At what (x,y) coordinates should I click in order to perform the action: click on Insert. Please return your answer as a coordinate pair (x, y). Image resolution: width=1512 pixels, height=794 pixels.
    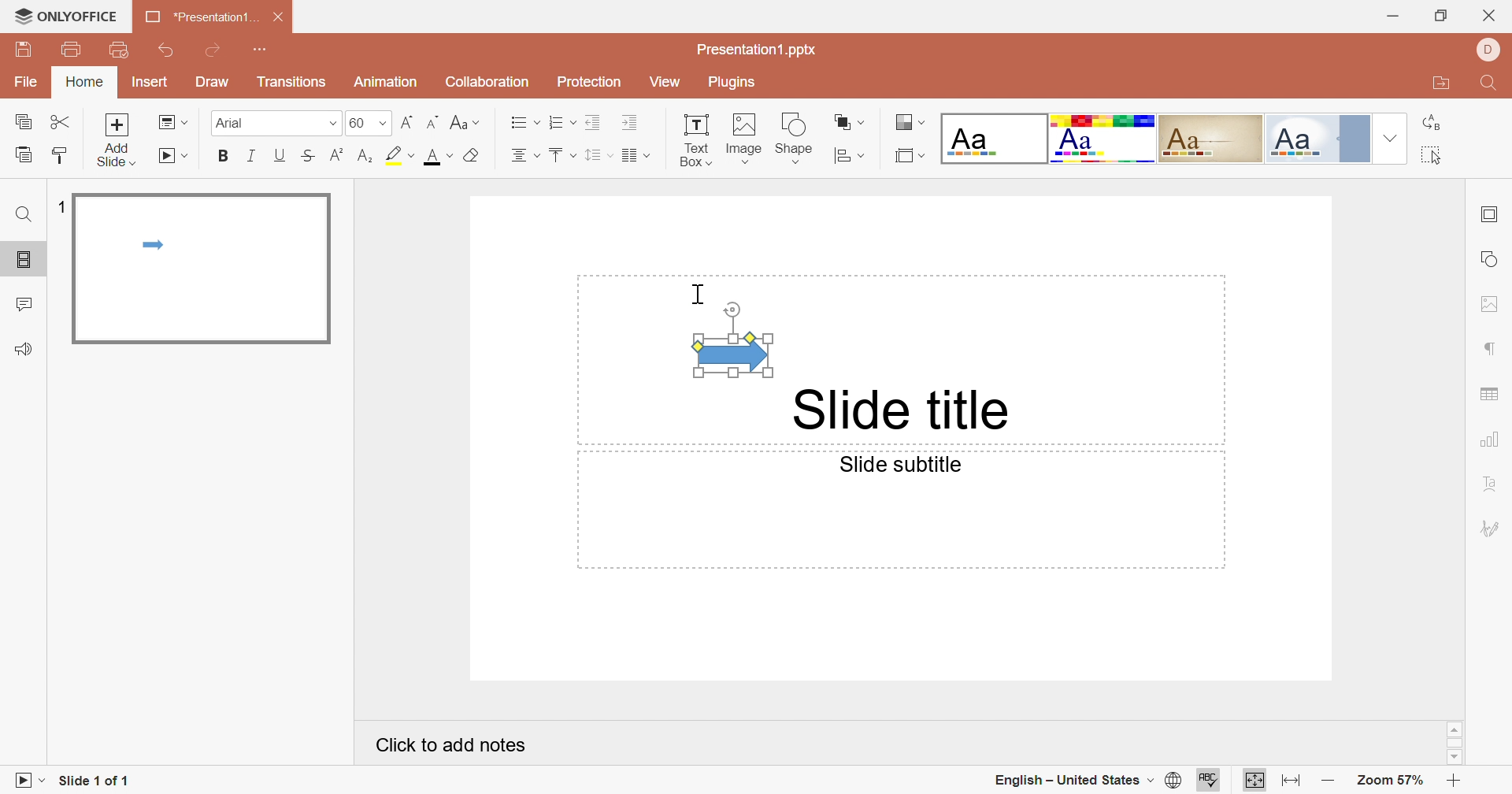
    Looking at the image, I should click on (149, 83).